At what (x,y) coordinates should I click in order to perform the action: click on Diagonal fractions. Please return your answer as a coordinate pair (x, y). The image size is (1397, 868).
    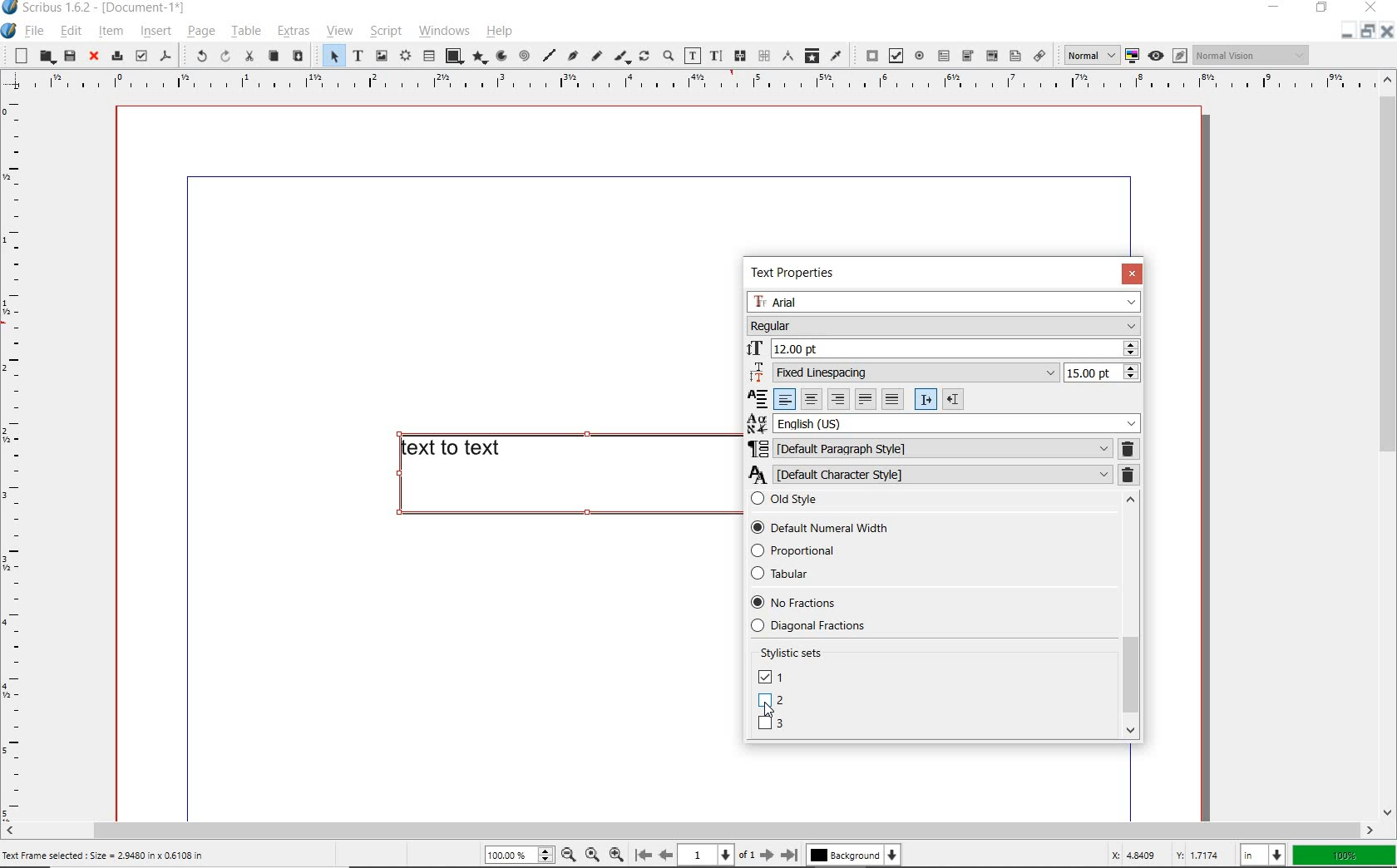
    Looking at the image, I should click on (834, 625).